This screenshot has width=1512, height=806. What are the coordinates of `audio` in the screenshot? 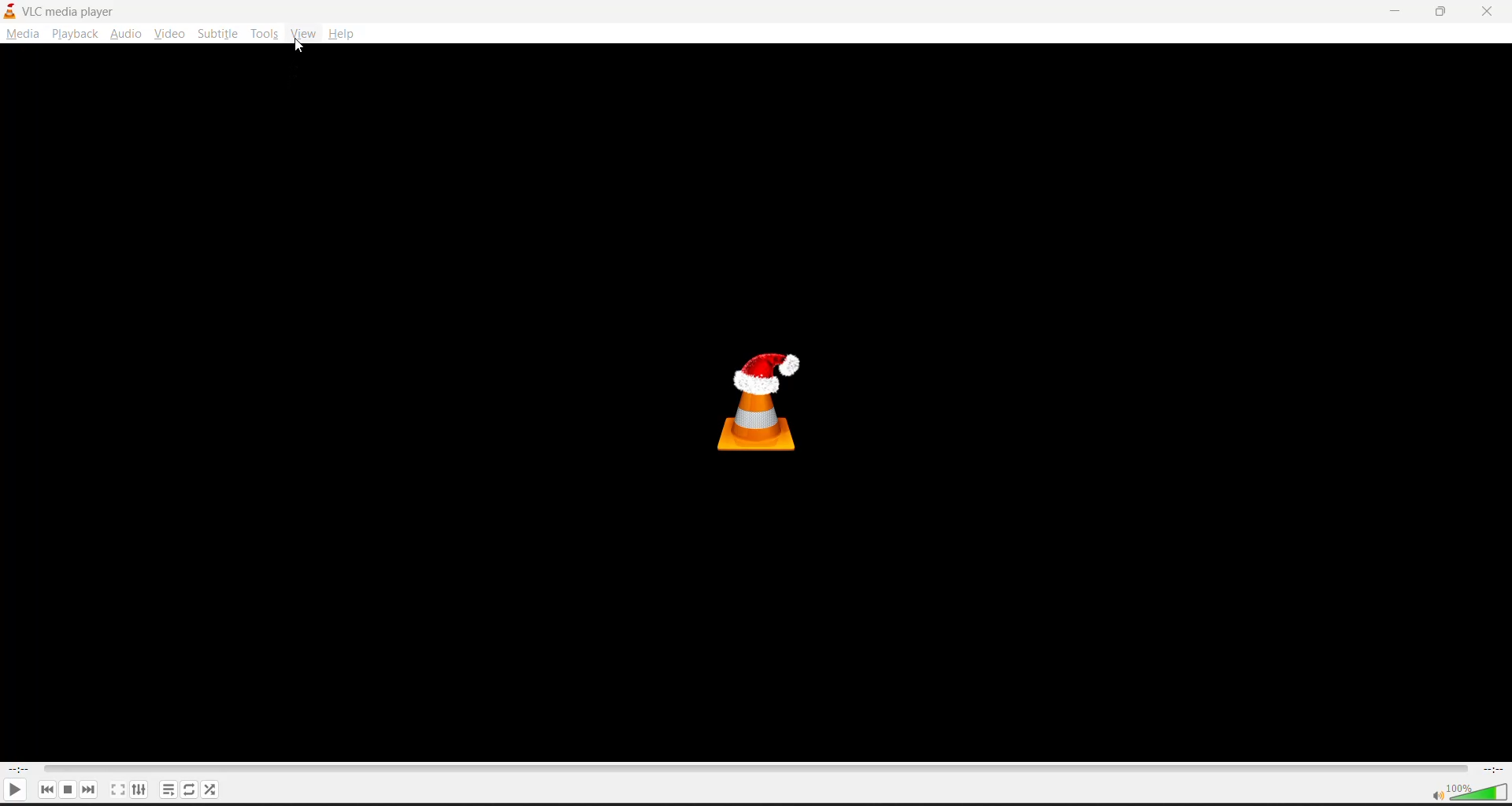 It's located at (125, 34).